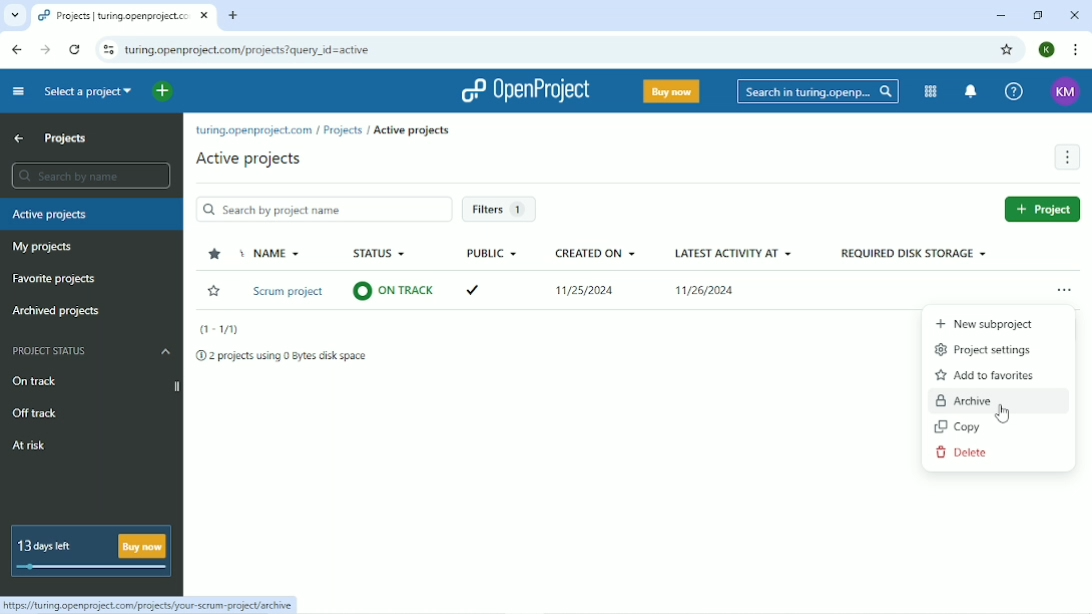  Describe the element at coordinates (1042, 208) in the screenshot. I see `Project` at that location.